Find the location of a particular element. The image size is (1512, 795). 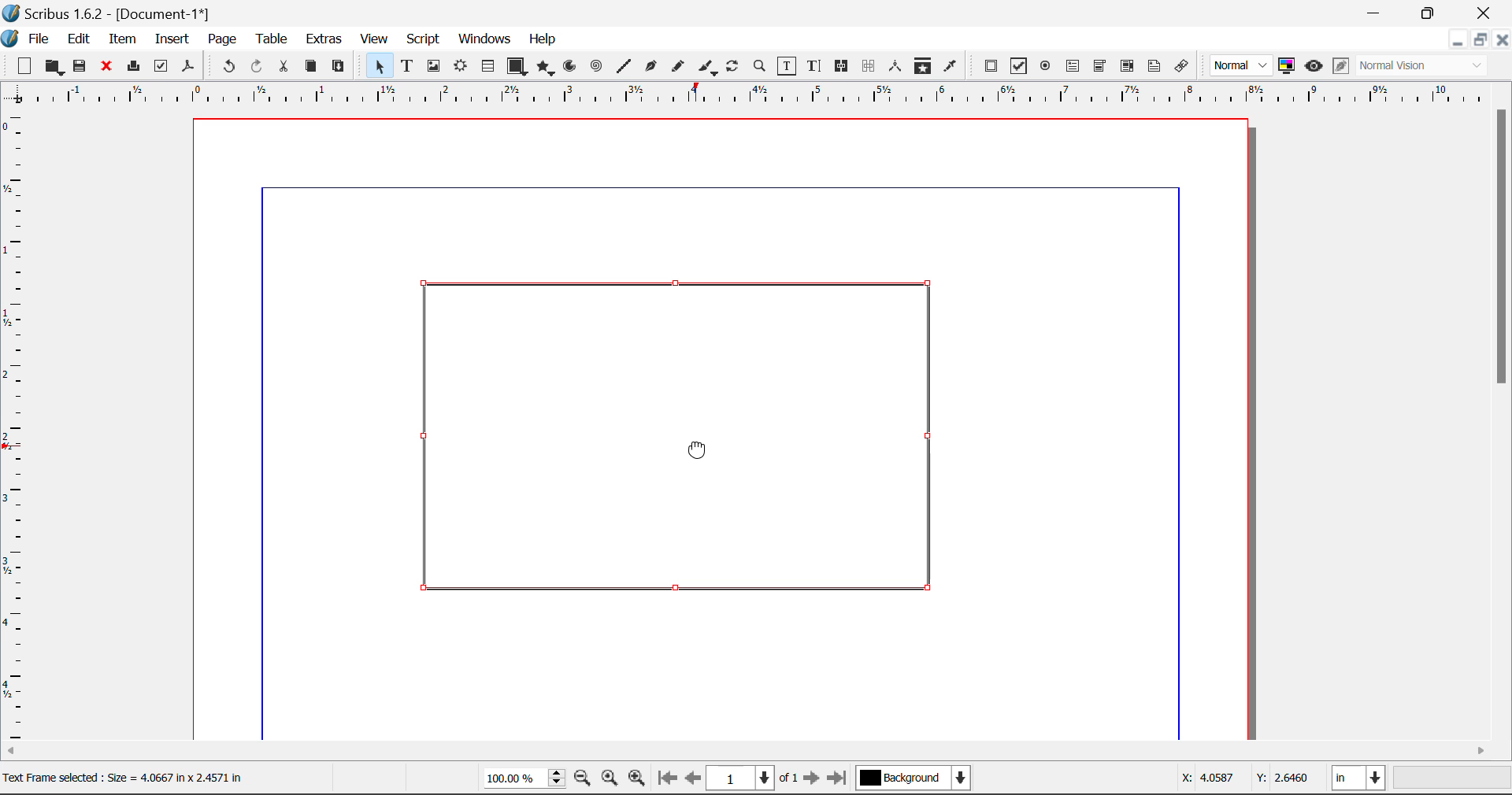

Rotate is located at coordinates (733, 65).